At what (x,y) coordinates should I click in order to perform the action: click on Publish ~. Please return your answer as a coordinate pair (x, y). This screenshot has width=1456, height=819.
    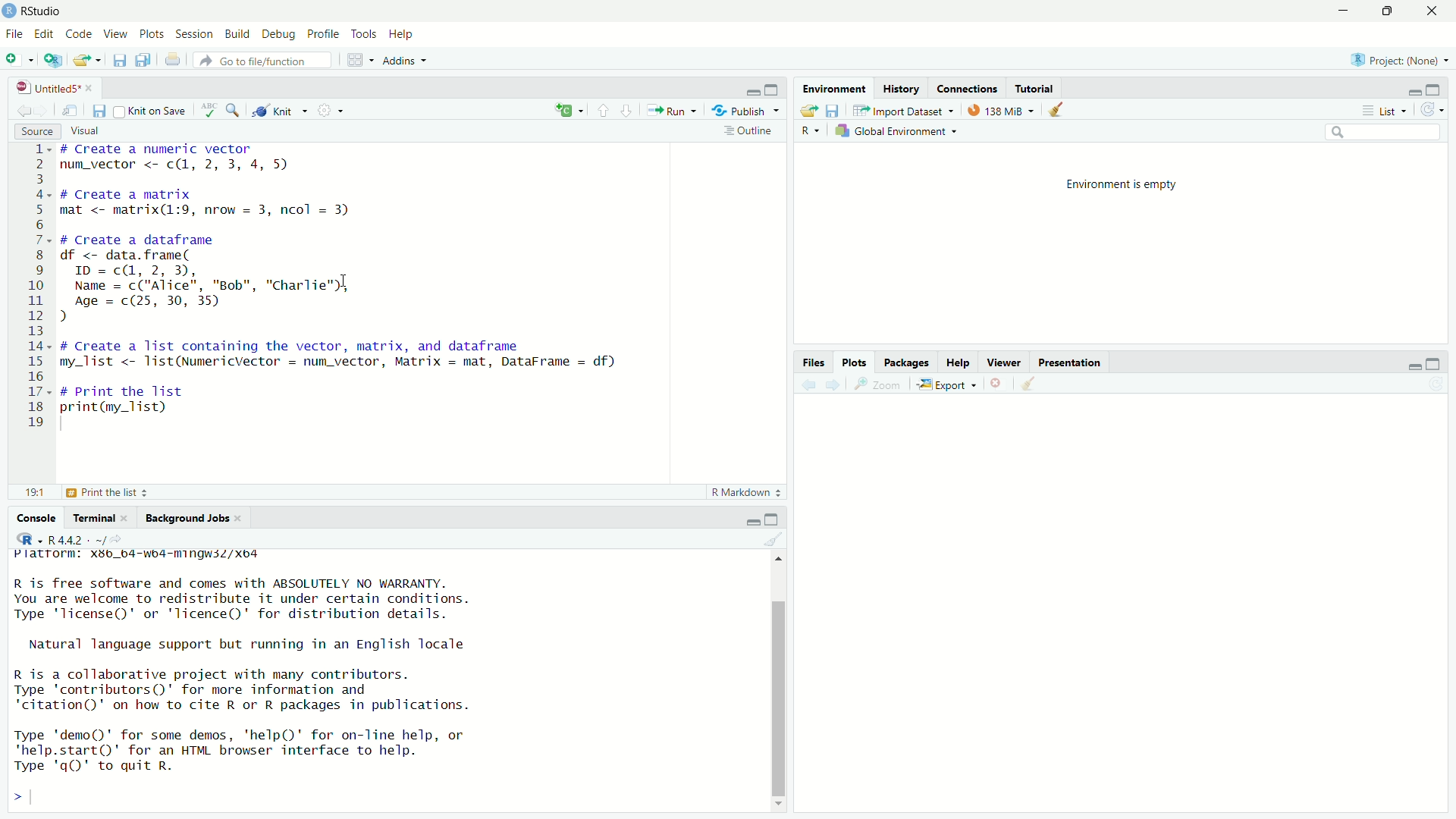
    Looking at the image, I should click on (747, 111).